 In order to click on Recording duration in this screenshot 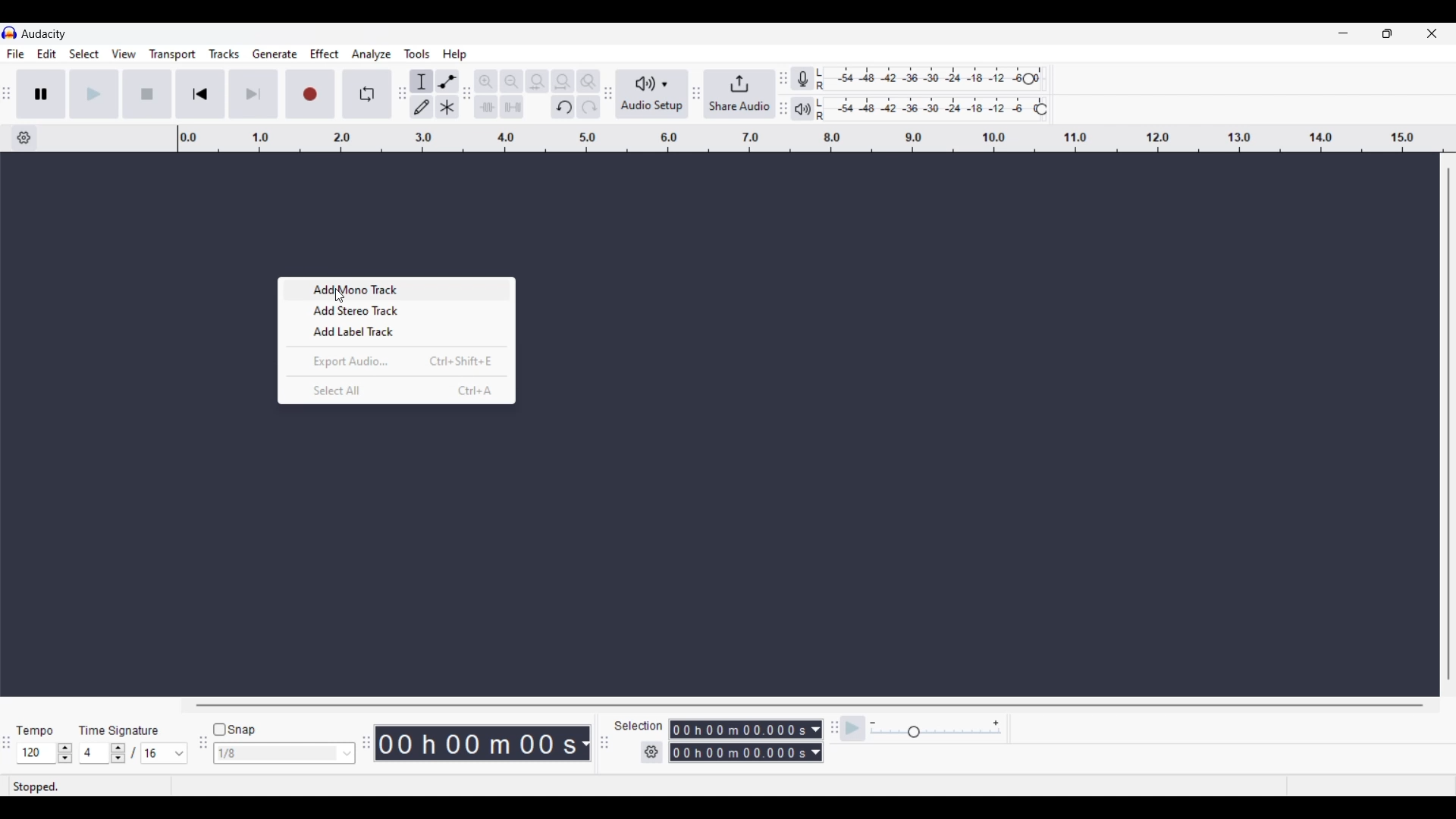, I will do `click(737, 741)`.